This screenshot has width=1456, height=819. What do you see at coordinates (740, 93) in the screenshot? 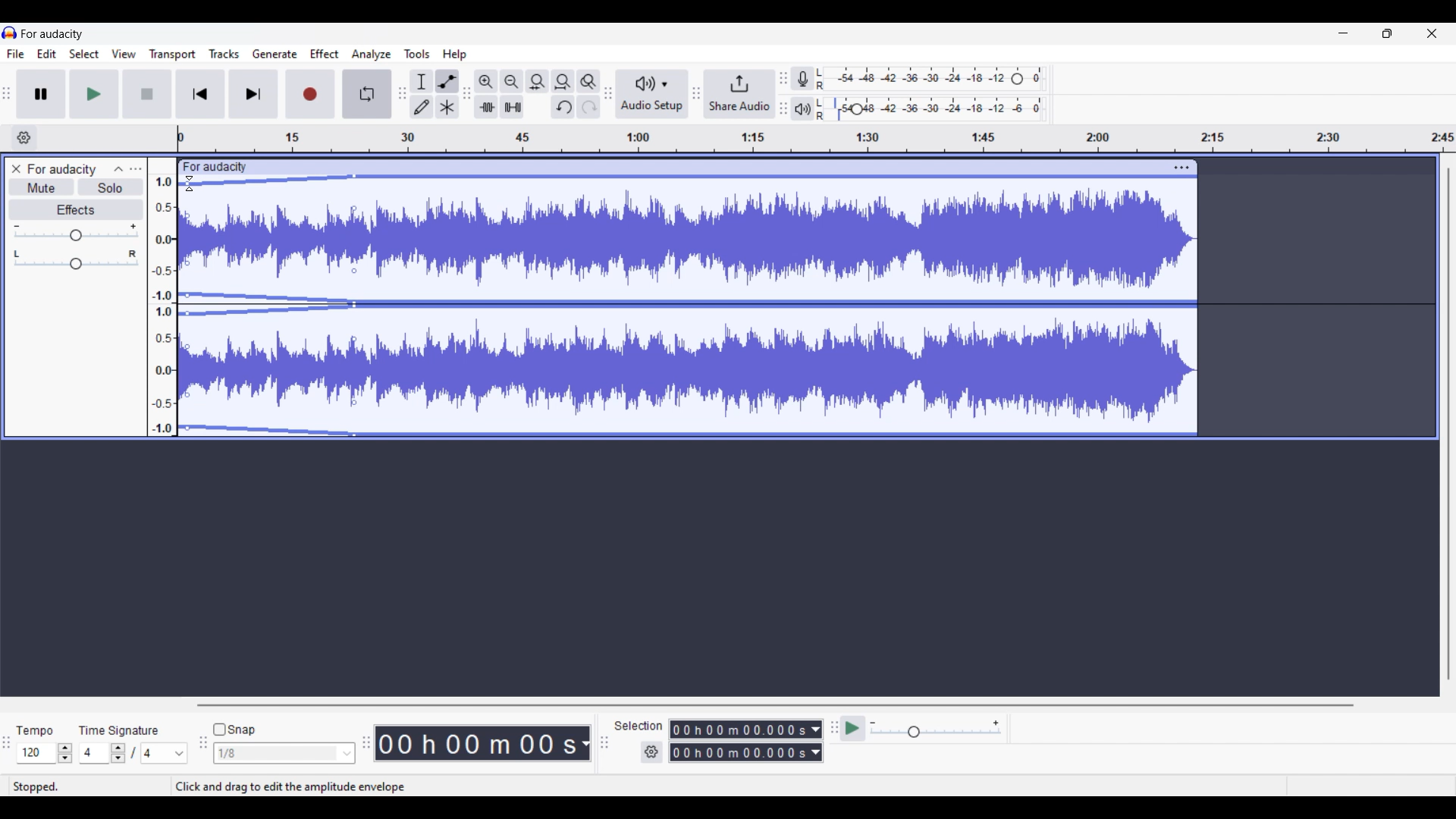
I see `Share audio` at bounding box center [740, 93].